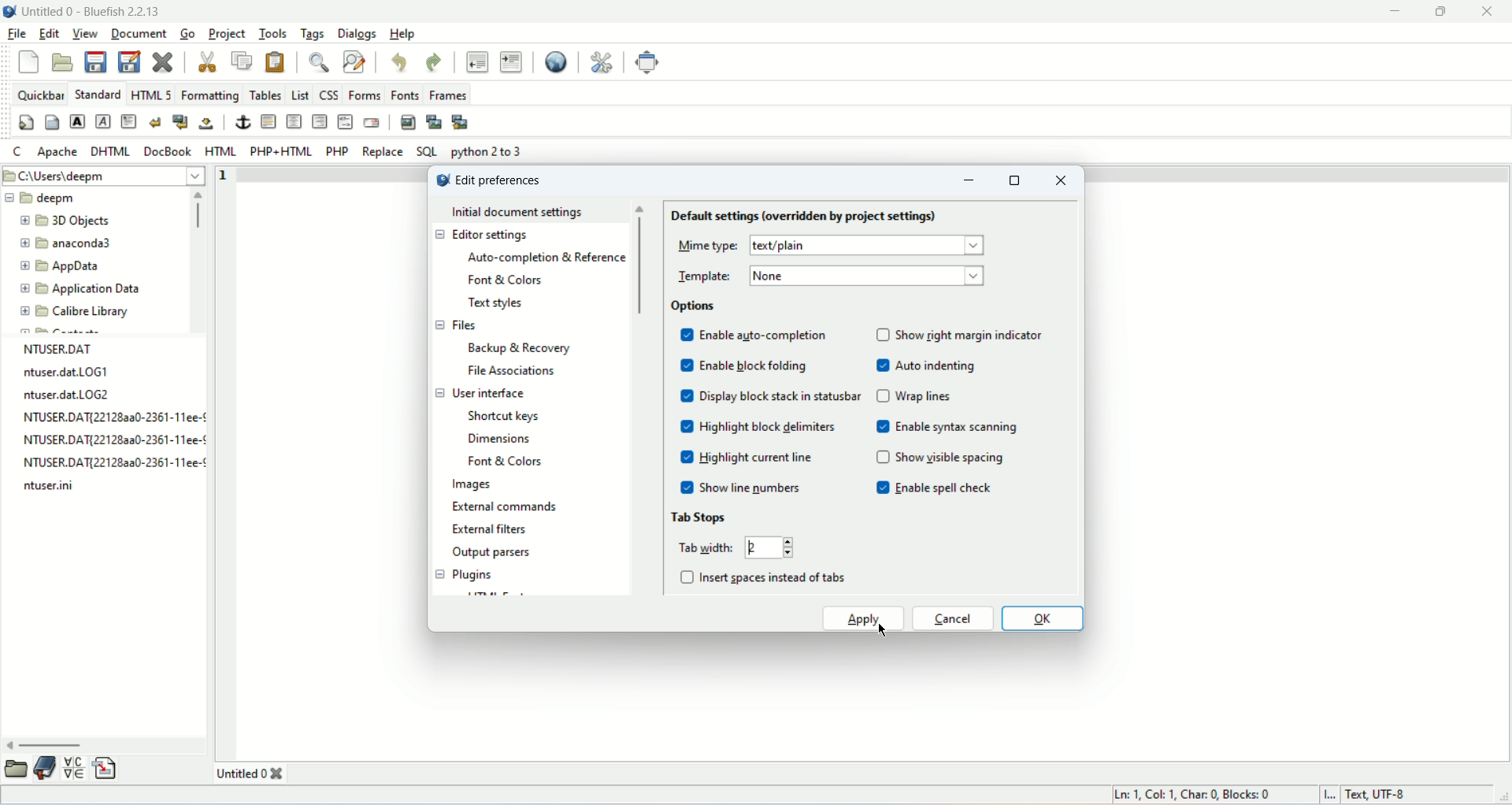 The height and width of the screenshot is (805, 1512). What do you see at coordinates (768, 548) in the screenshot?
I see `2` at bounding box center [768, 548].